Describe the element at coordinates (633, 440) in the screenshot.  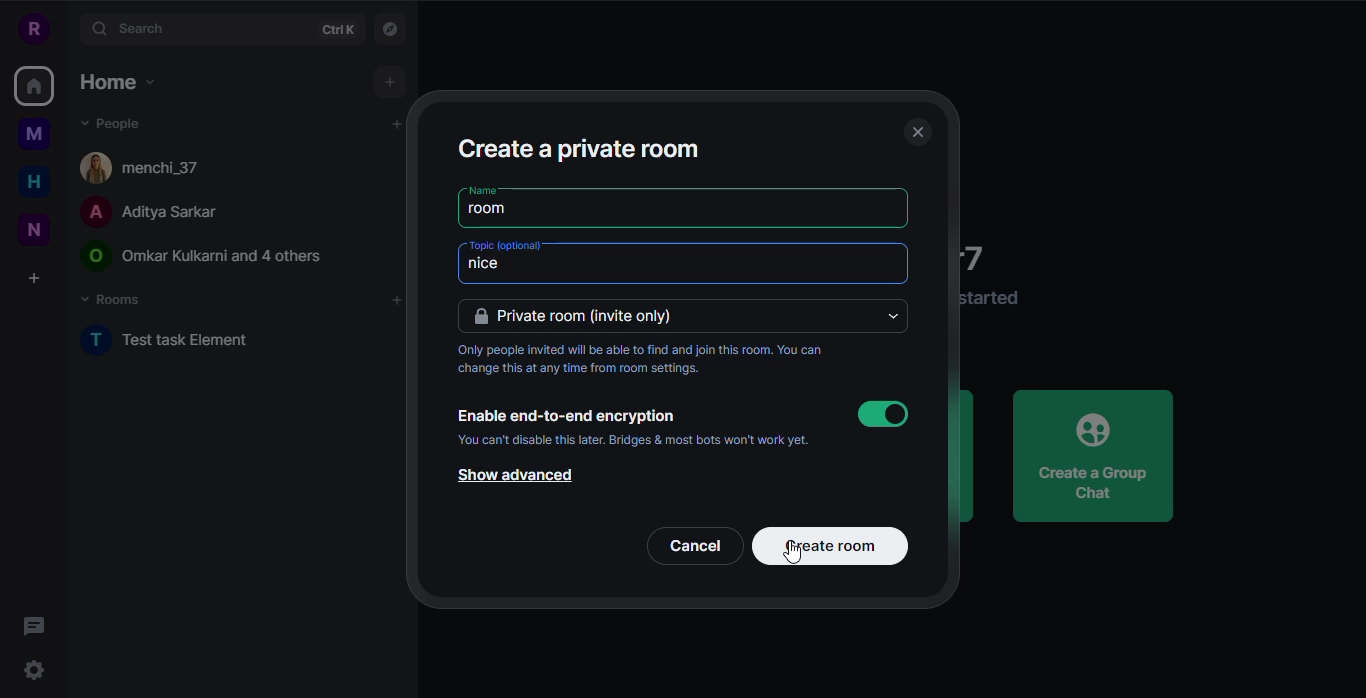
I see `info` at that location.